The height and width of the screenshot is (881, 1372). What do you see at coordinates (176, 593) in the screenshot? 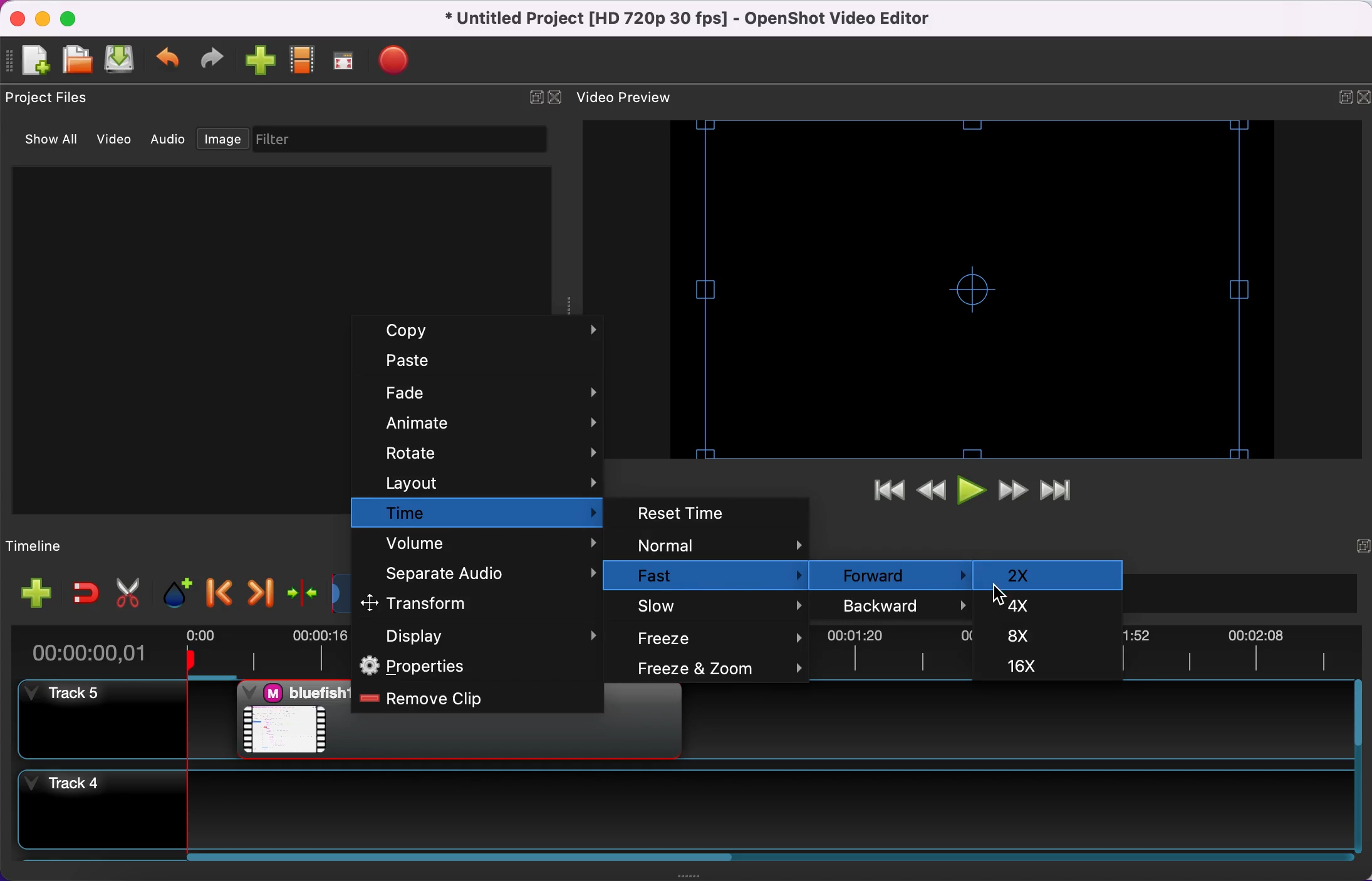
I see `add marker` at bounding box center [176, 593].